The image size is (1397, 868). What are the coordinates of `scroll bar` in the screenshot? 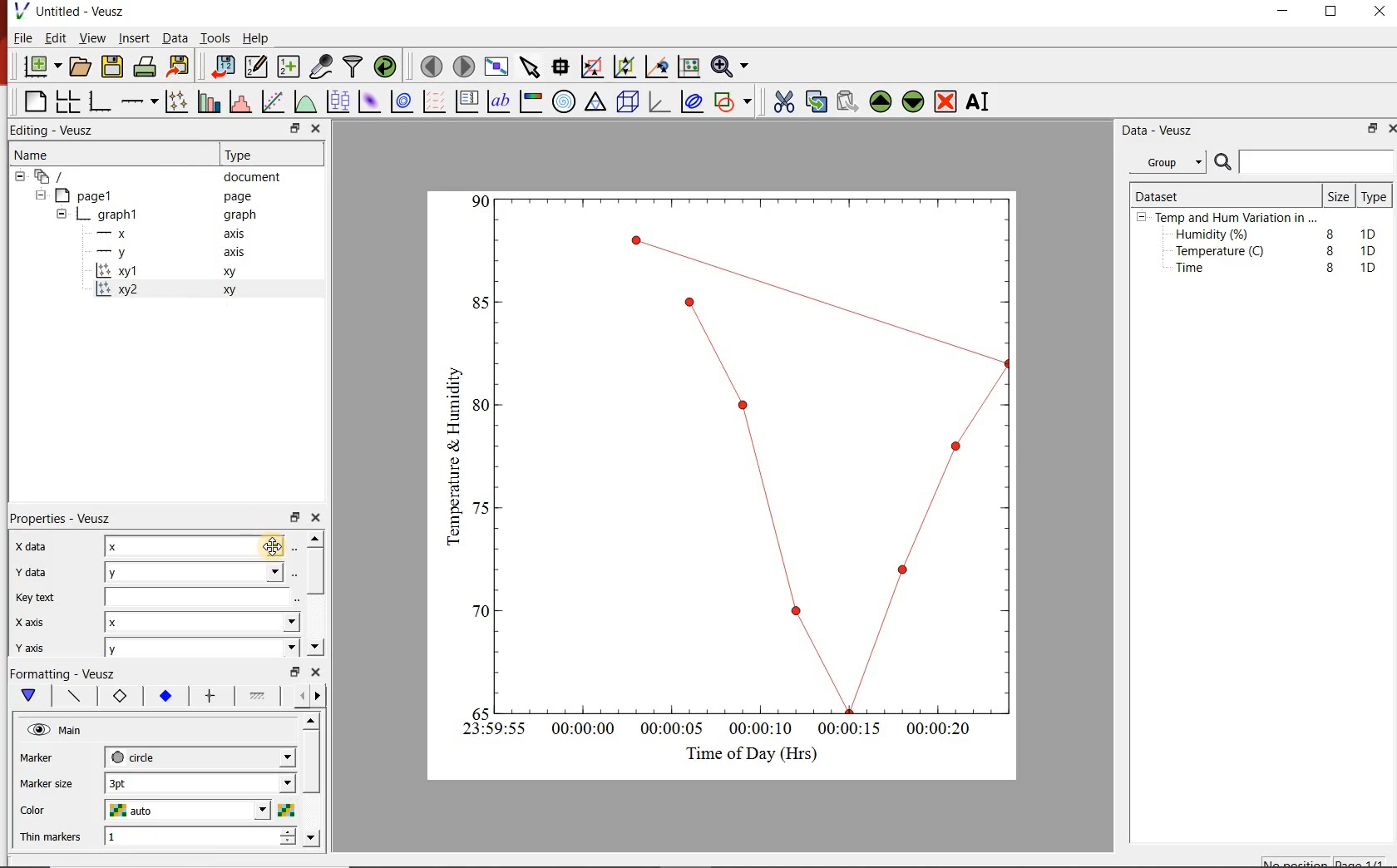 It's located at (318, 591).